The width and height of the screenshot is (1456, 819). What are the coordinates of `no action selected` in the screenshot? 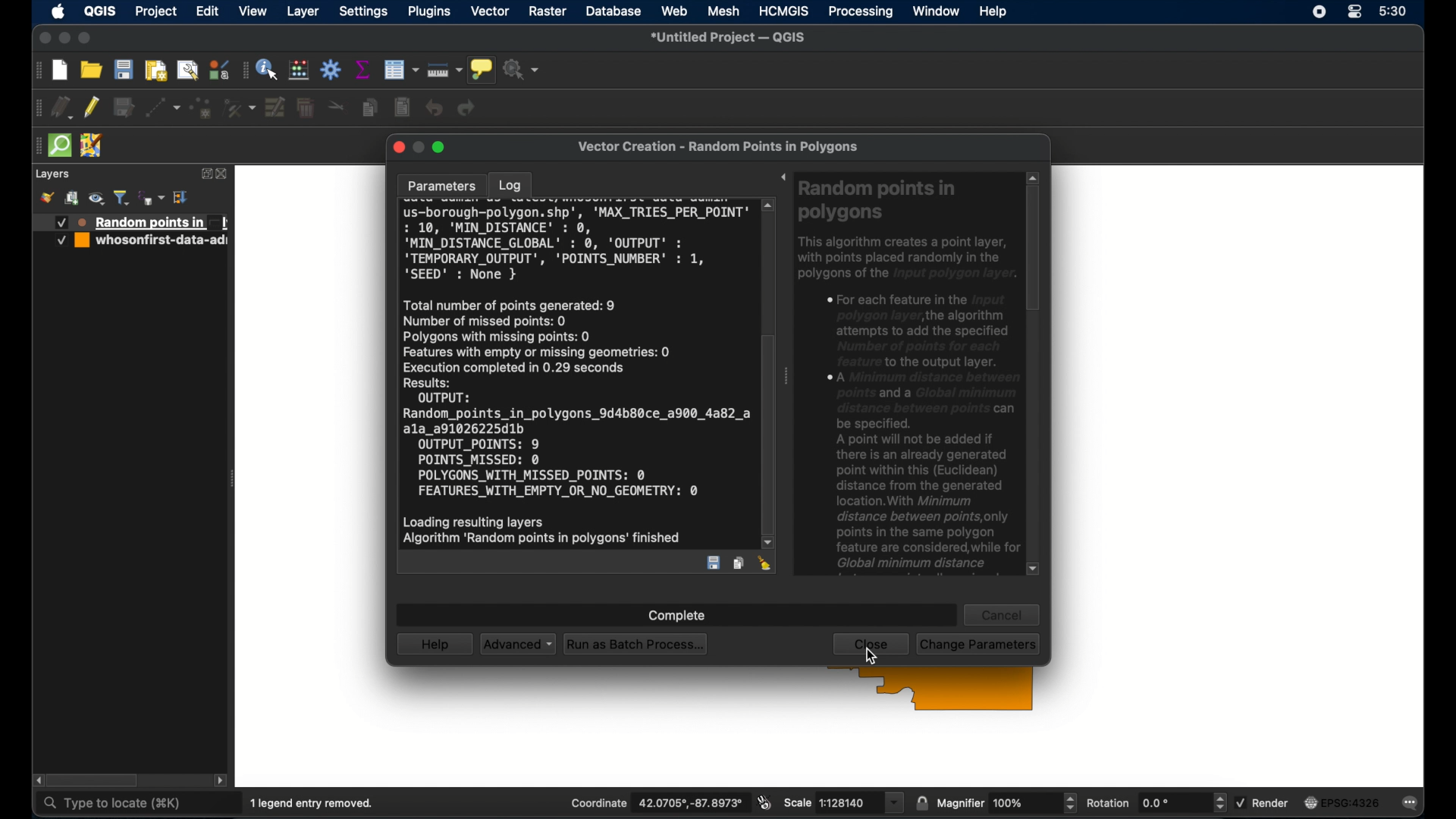 It's located at (521, 69).